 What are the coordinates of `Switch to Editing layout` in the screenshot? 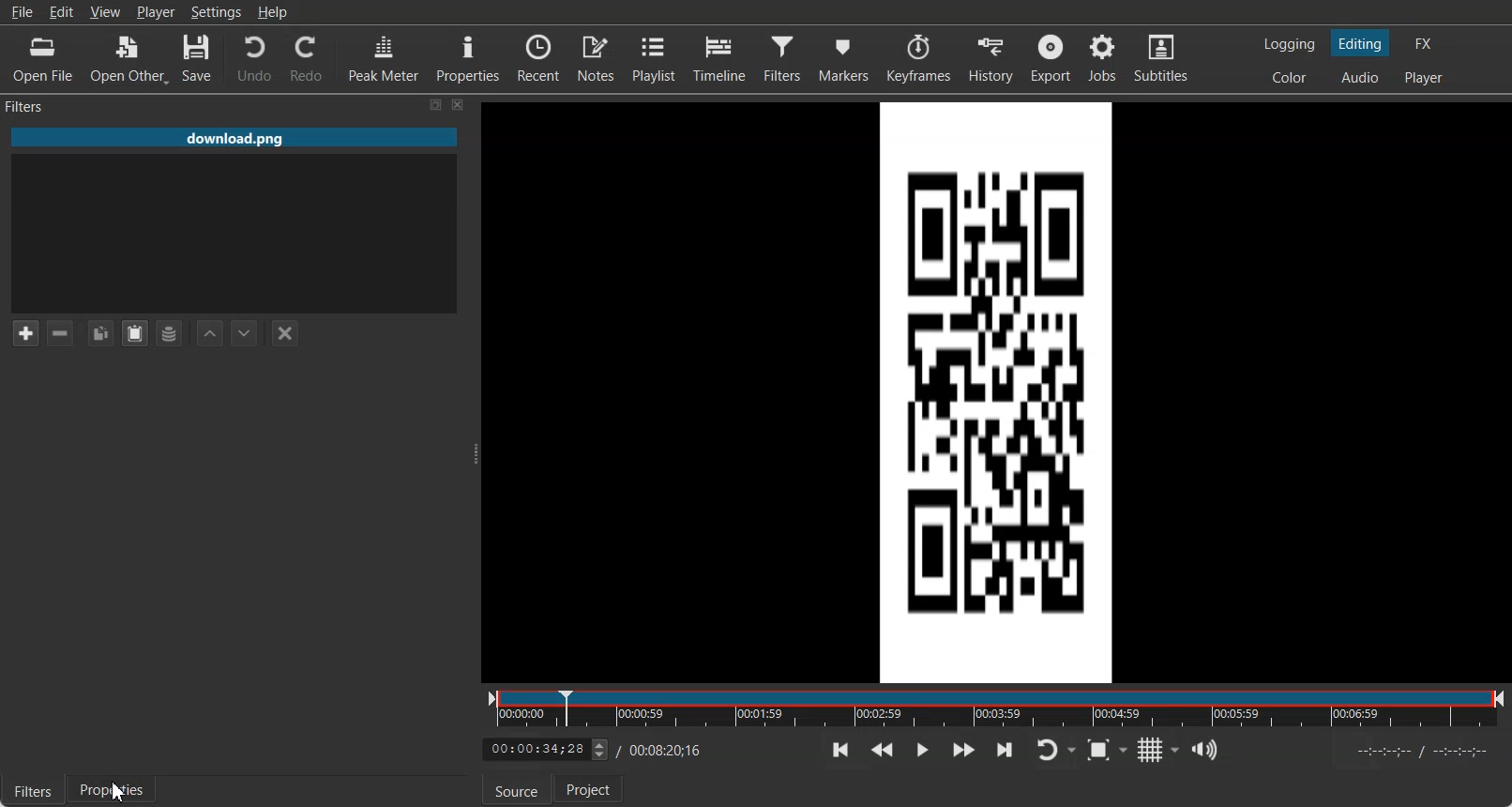 It's located at (1359, 43).